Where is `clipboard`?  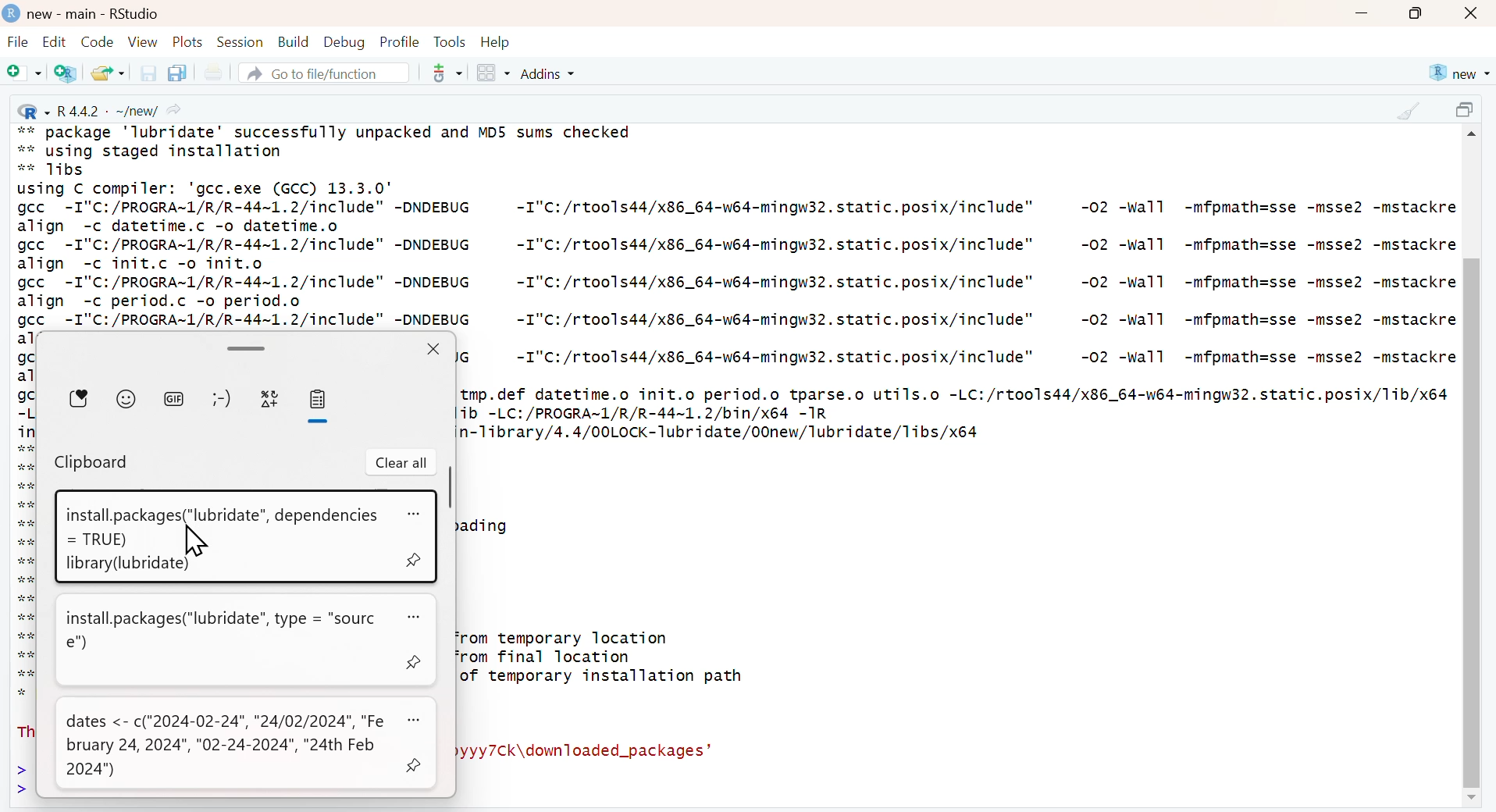
clipboard is located at coordinates (317, 400).